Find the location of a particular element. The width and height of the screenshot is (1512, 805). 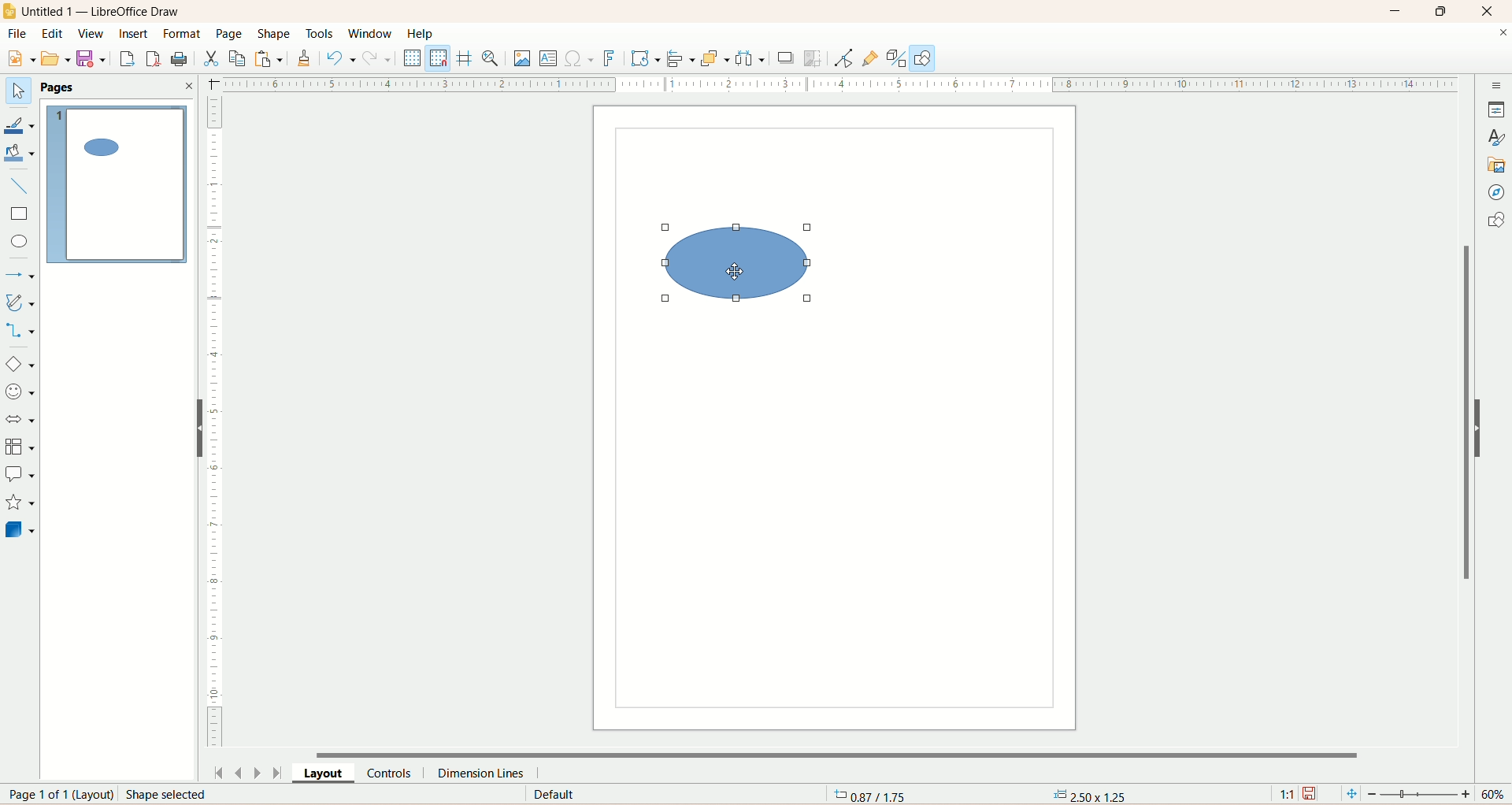

zoom and pan is located at coordinates (494, 61).